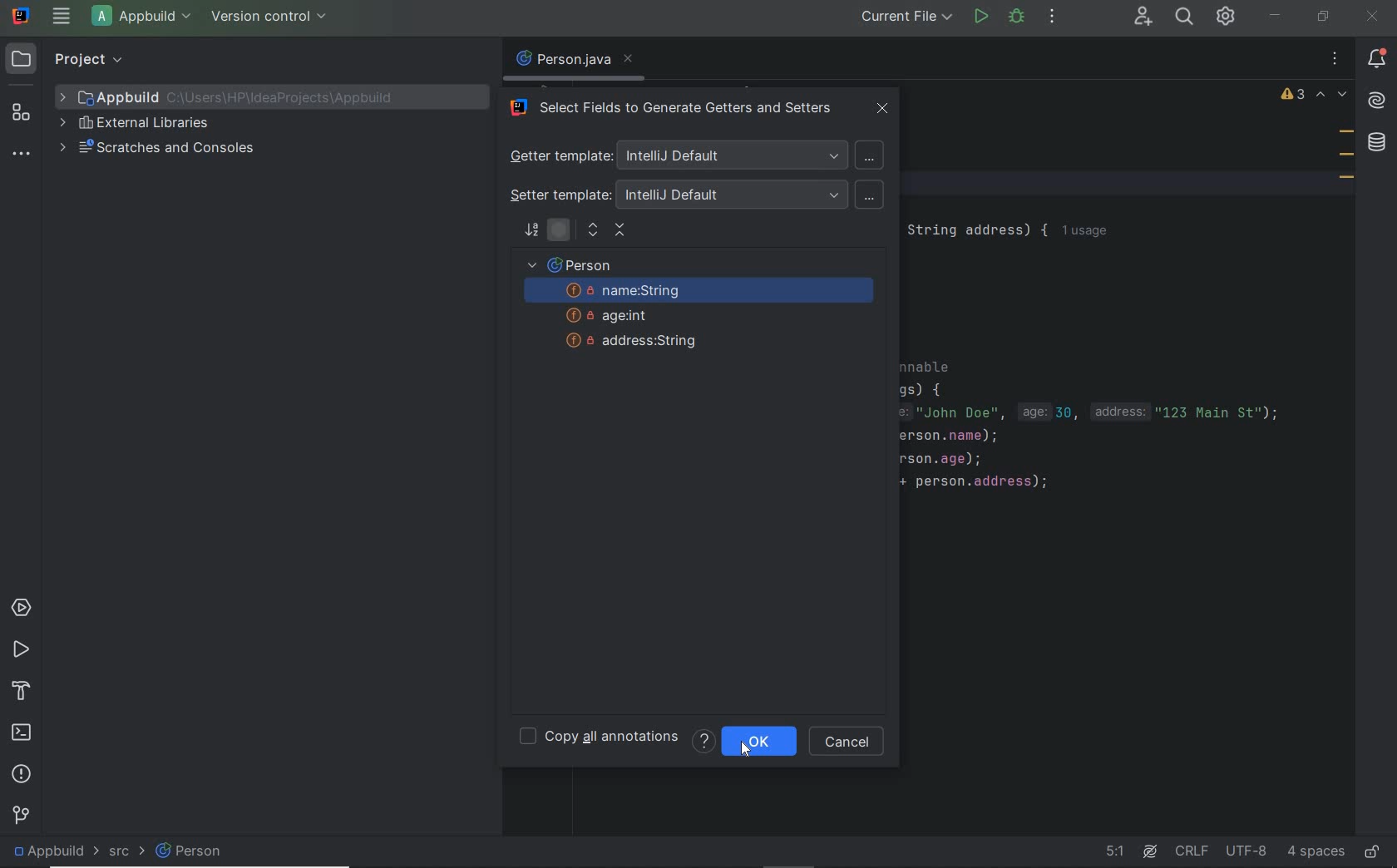 The image size is (1397, 868). Describe the element at coordinates (619, 316) in the screenshot. I see `age:int` at that location.